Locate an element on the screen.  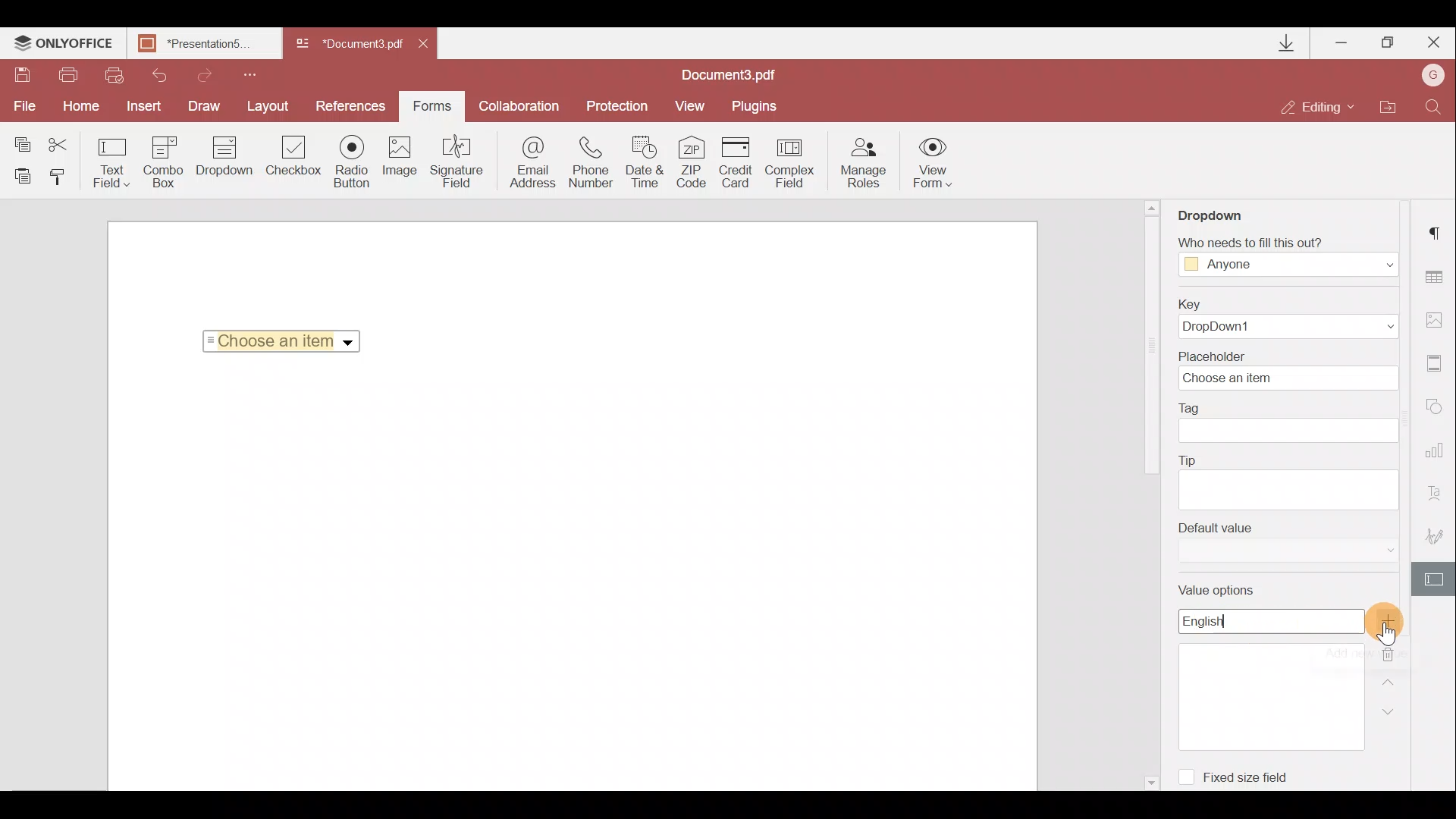
Close is located at coordinates (428, 41).